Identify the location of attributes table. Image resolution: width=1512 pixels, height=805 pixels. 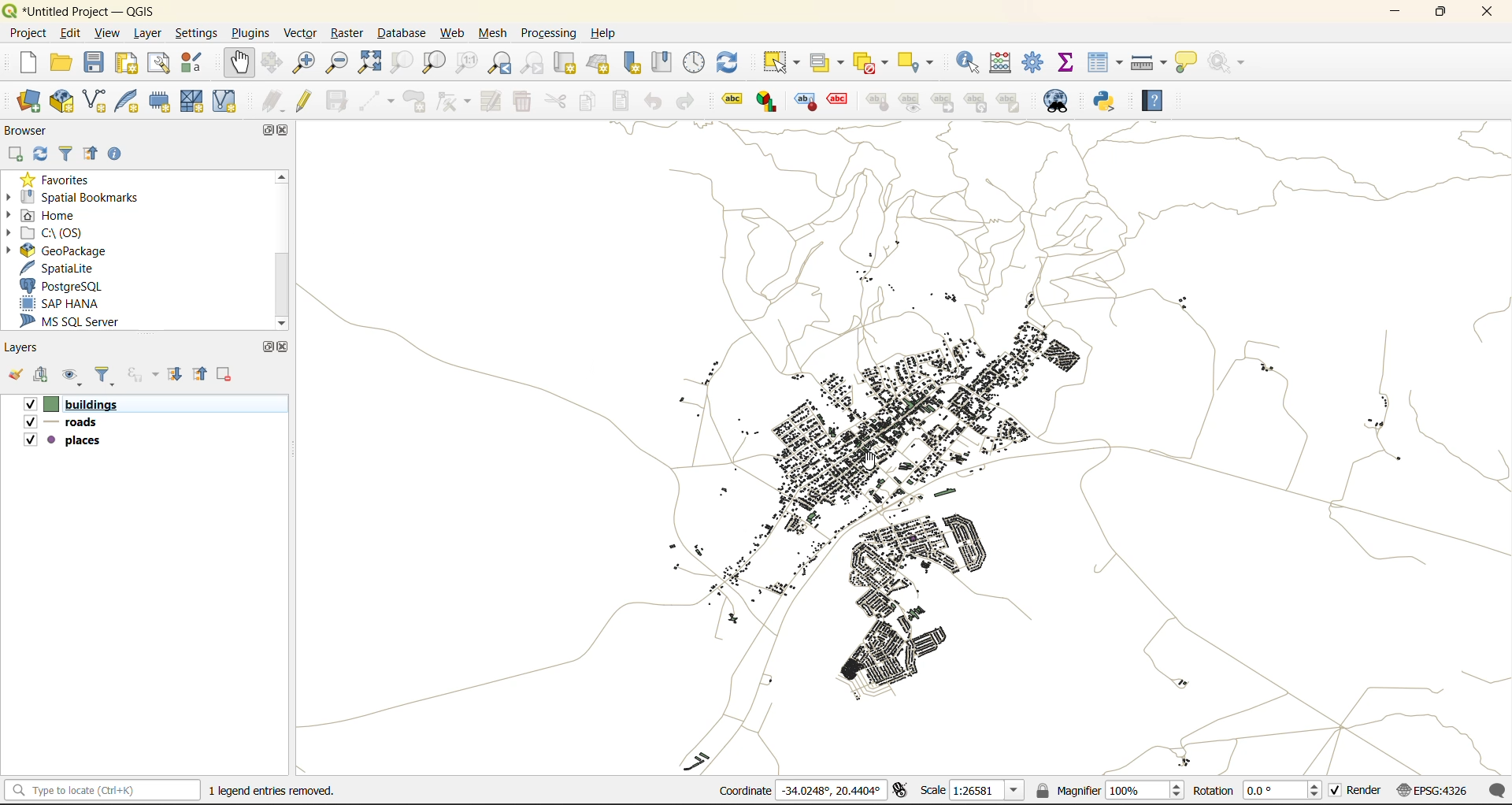
(1105, 65).